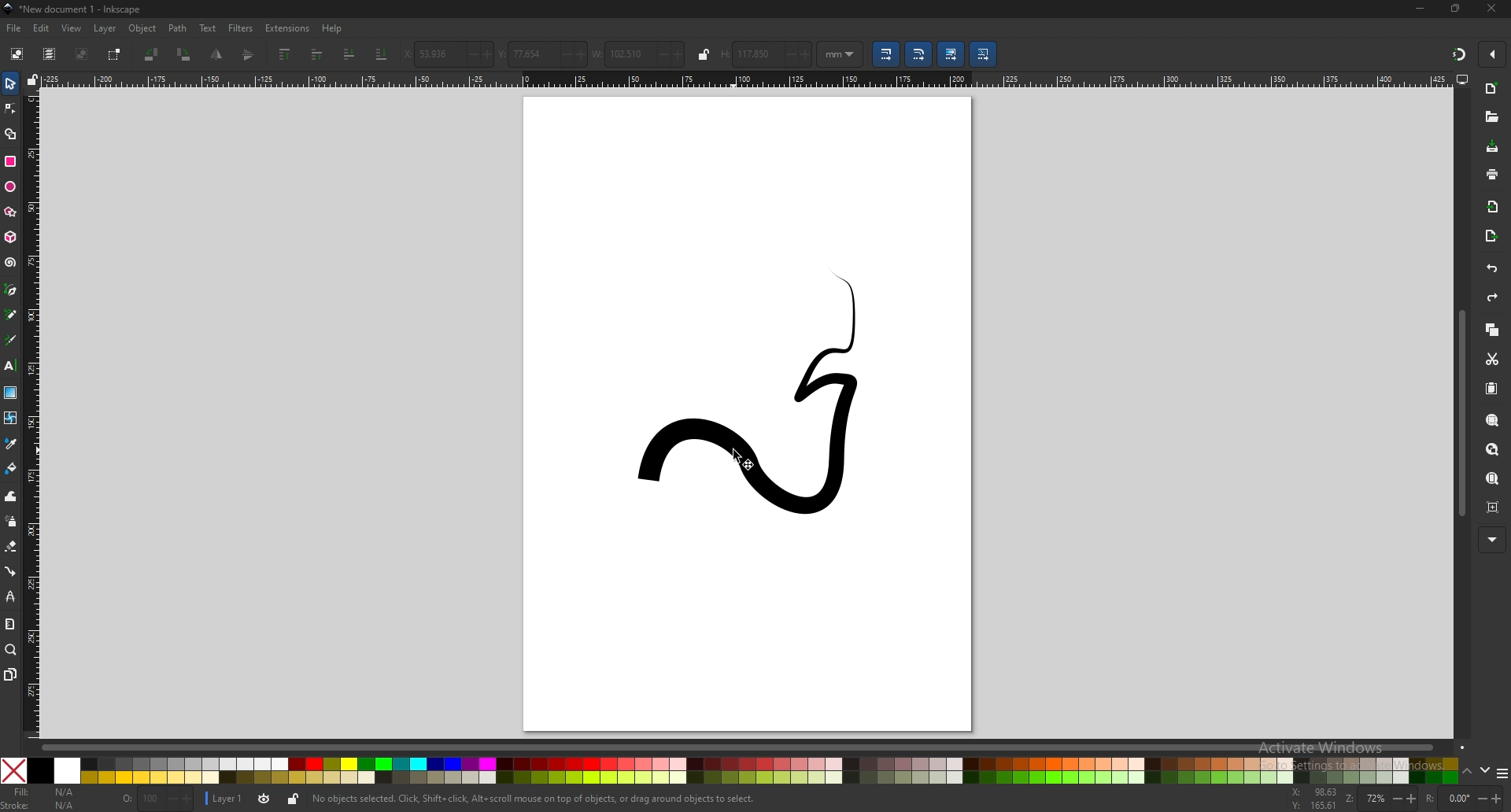  I want to click on MOUSE POINTER, so click(749, 461).